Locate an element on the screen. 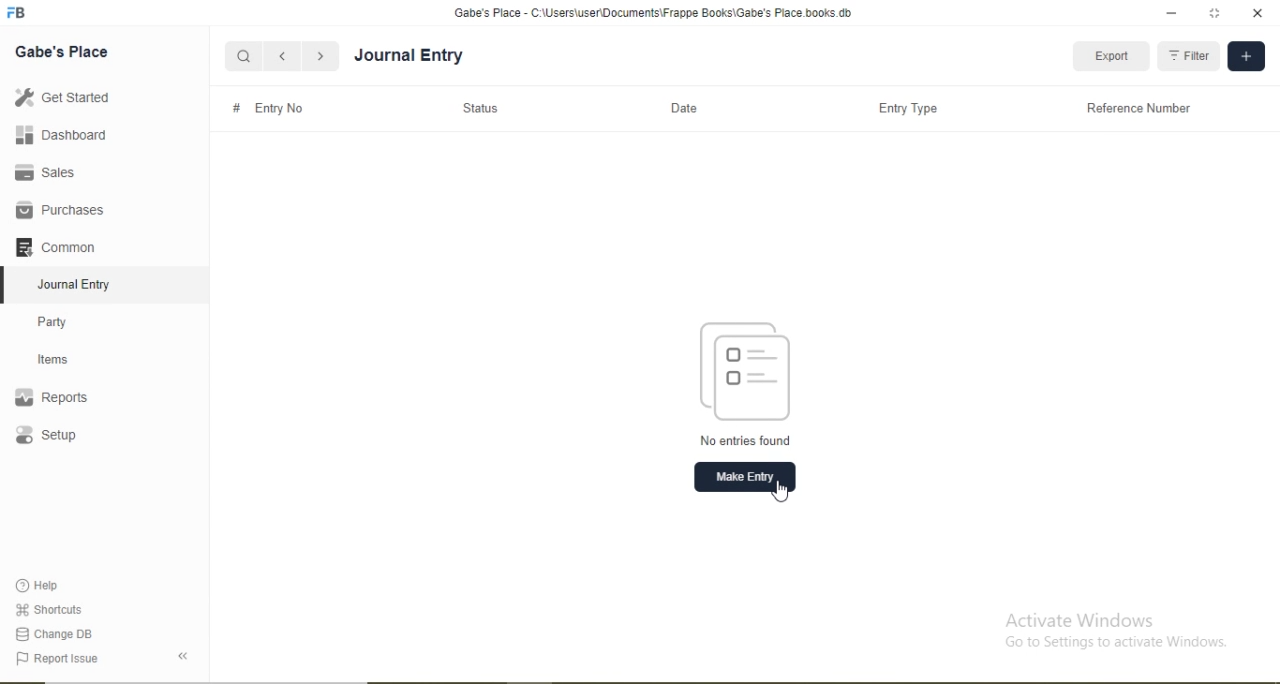 The height and width of the screenshot is (684, 1280). resize is located at coordinates (1212, 13).